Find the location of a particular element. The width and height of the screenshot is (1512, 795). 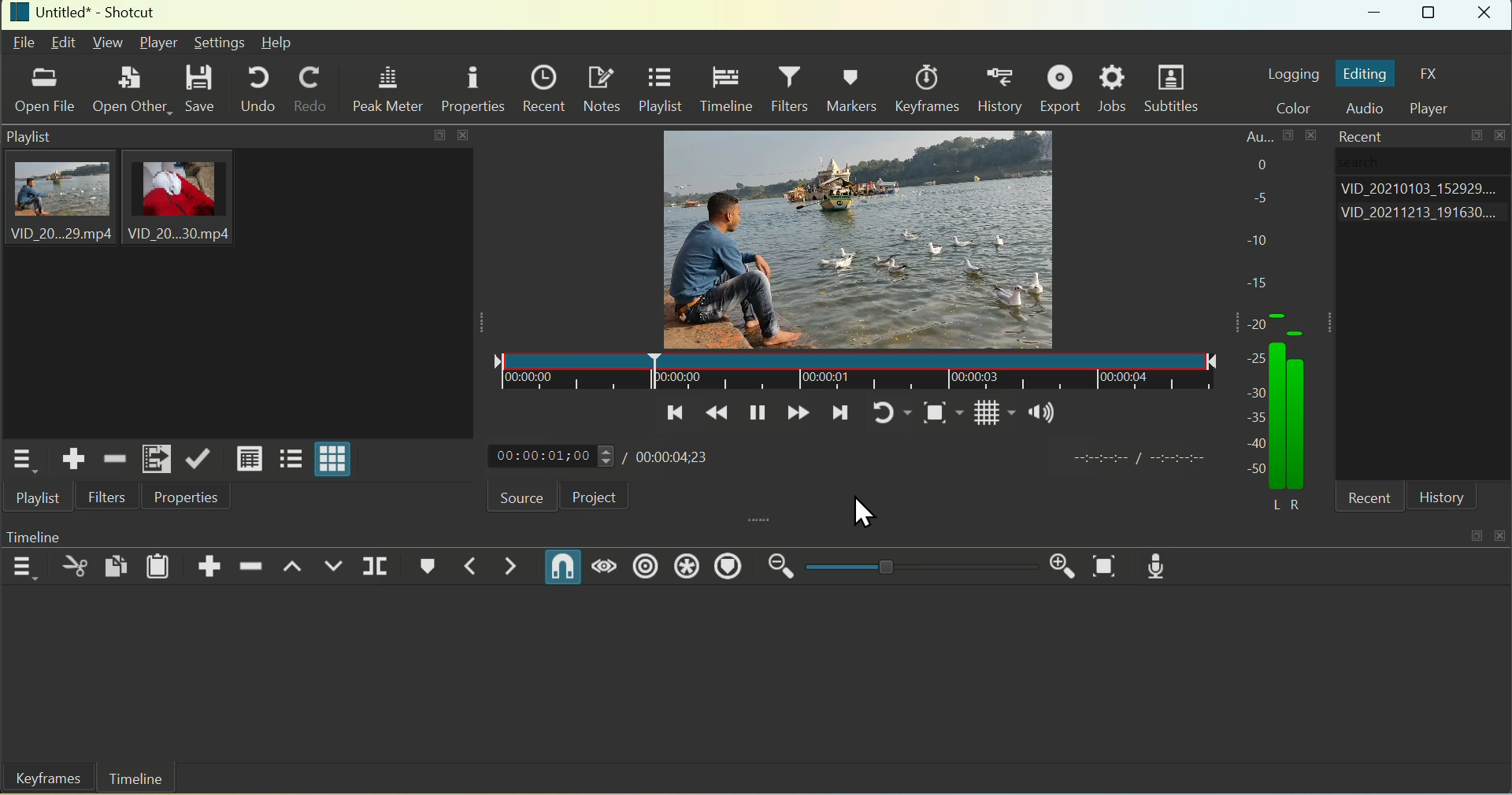

Split at Playahead is located at coordinates (376, 565).